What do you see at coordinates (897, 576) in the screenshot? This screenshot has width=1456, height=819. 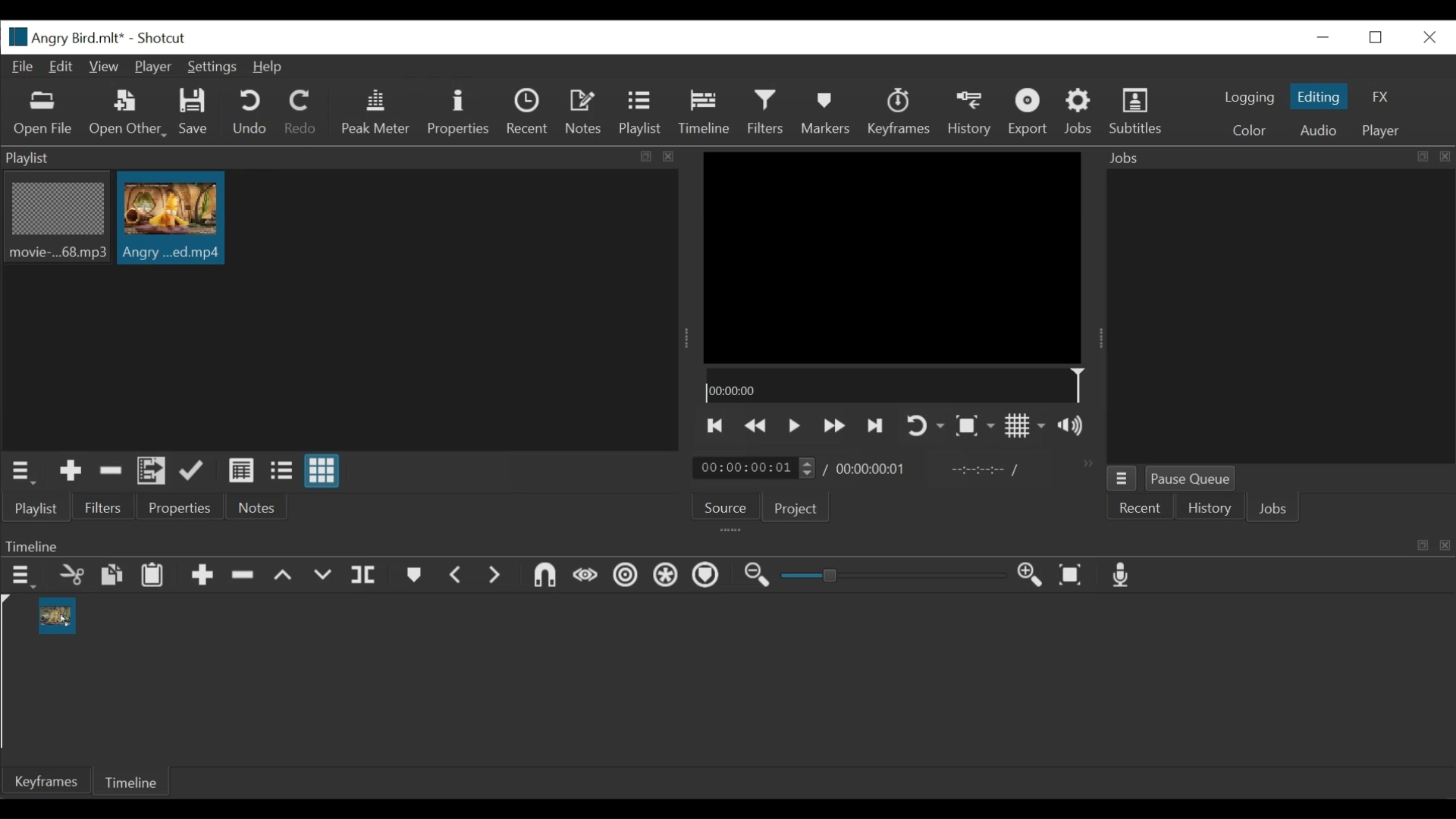 I see `Slider` at bounding box center [897, 576].